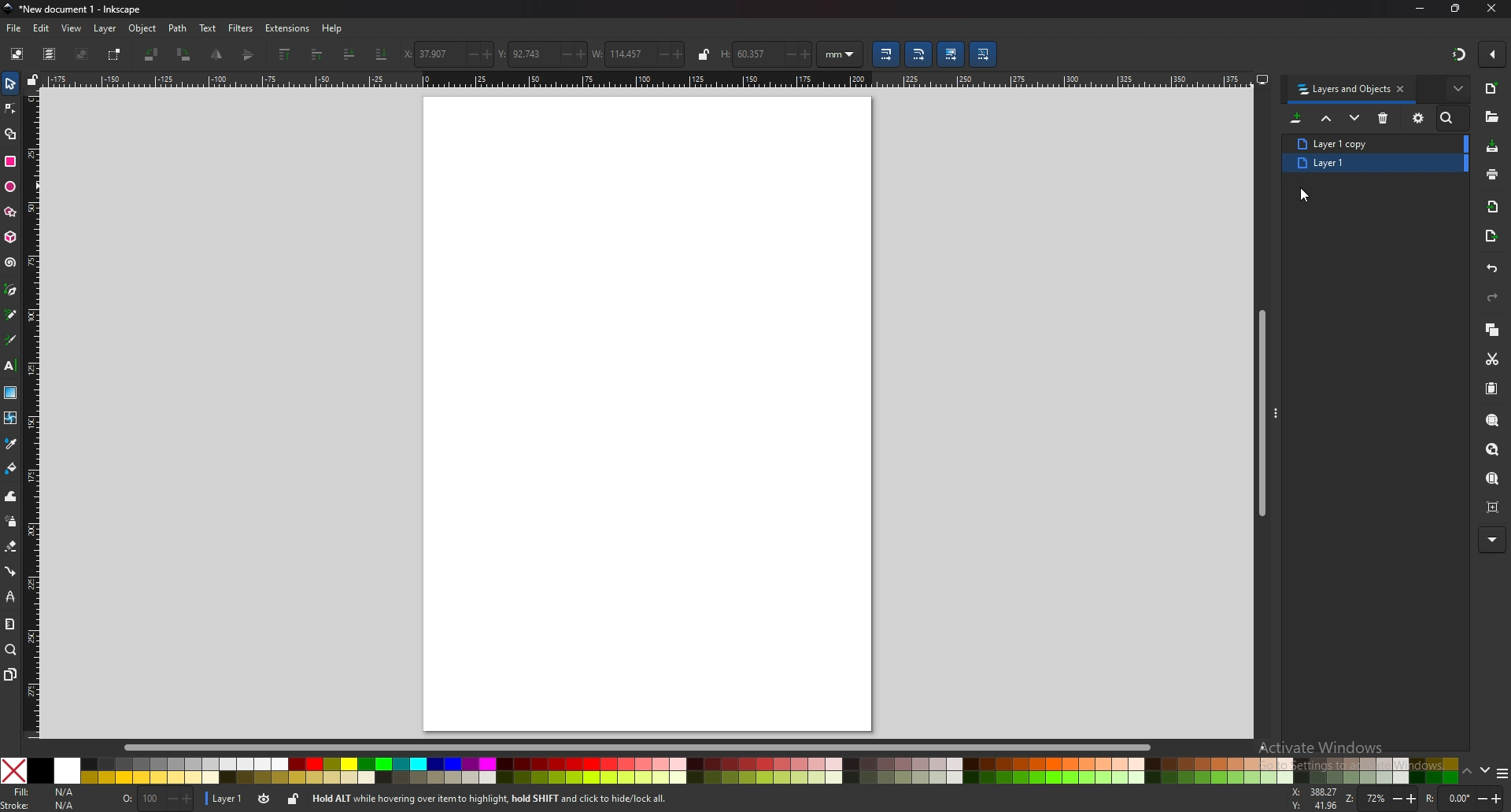  I want to click on lock guides, so click(33, 79).